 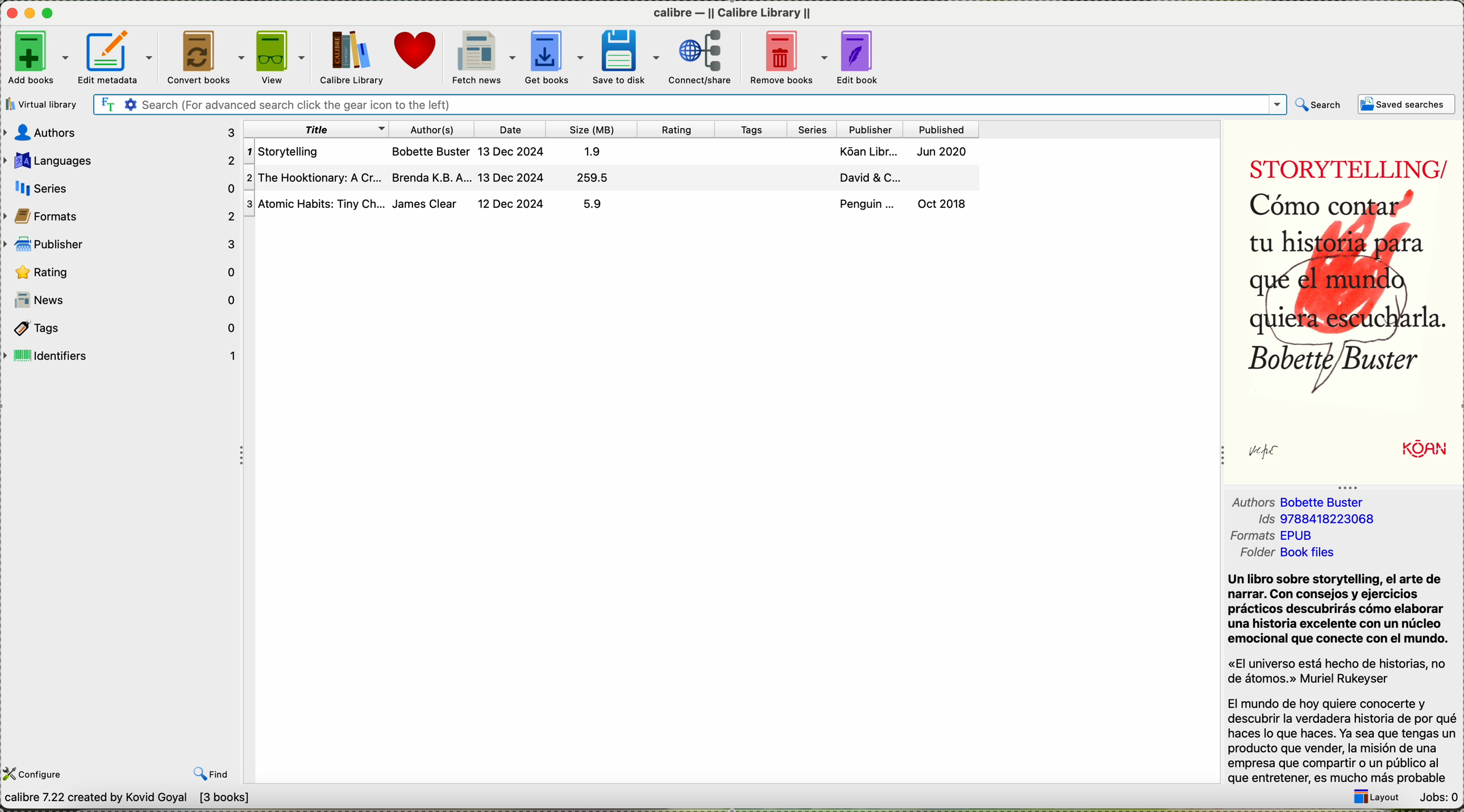 What do you see at coordinates (949, 129) in the screenshot?
I see `published` at bounding box center [949, 129].